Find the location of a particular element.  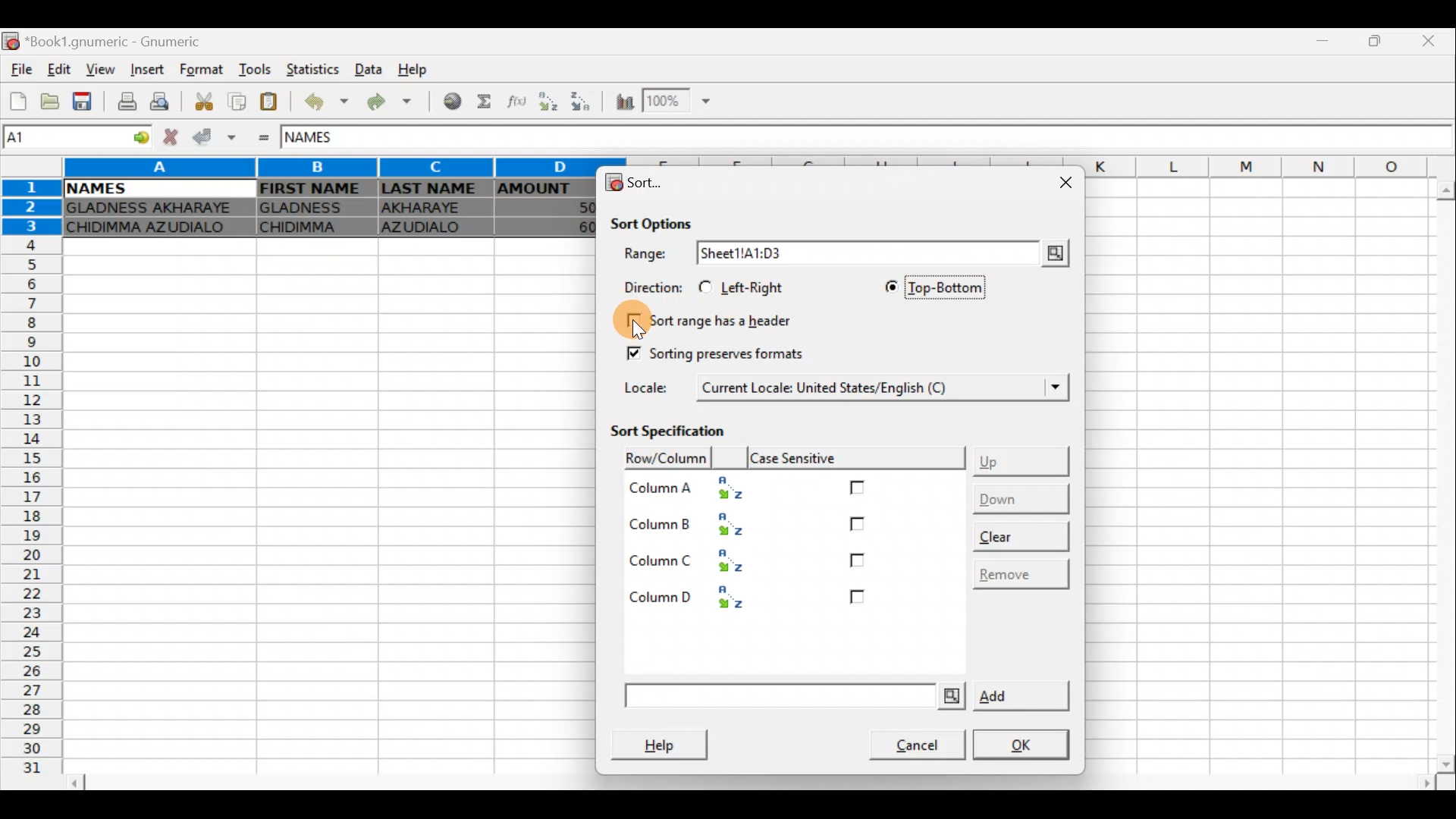

Direction is located at coordinates (648, 286).